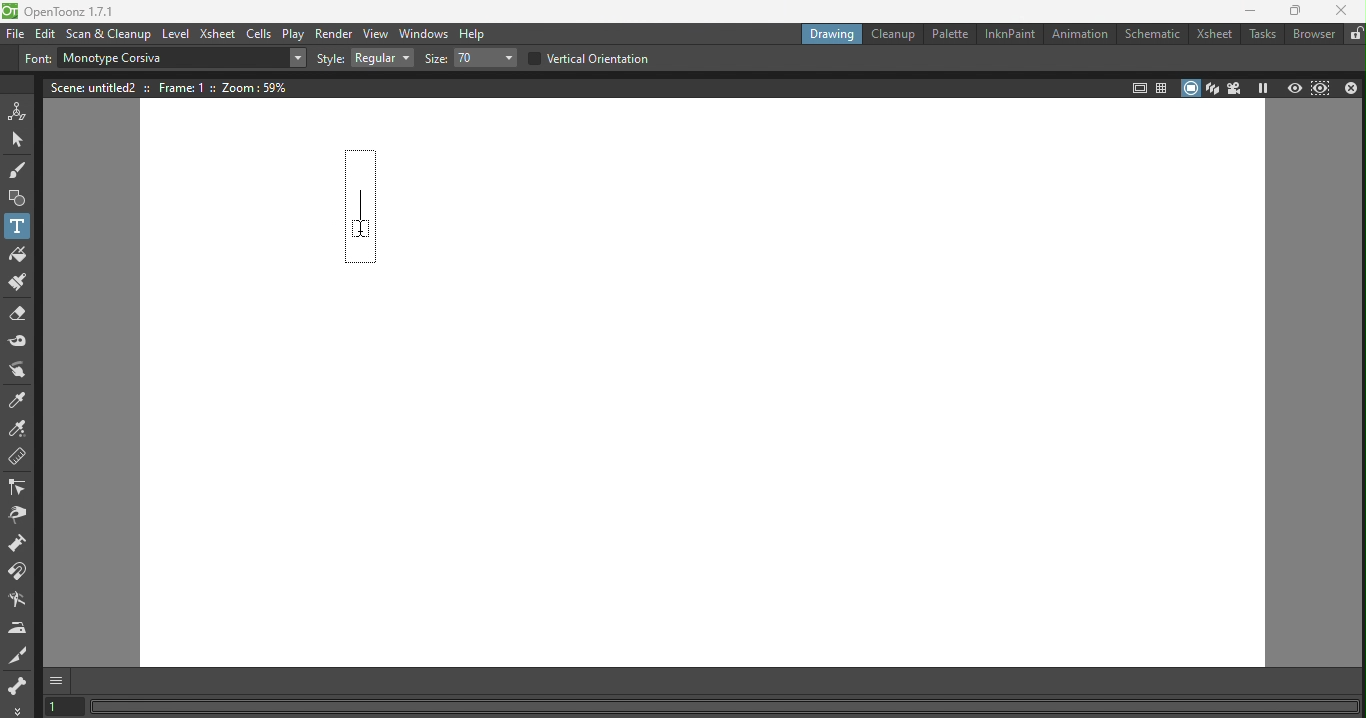 Image resolution: width=1366 pixels, height=718 pixels. What do you see at coordinates (1153, 34) in the screenshot?
I see `Schematic` at bounding box center [1153, 34].